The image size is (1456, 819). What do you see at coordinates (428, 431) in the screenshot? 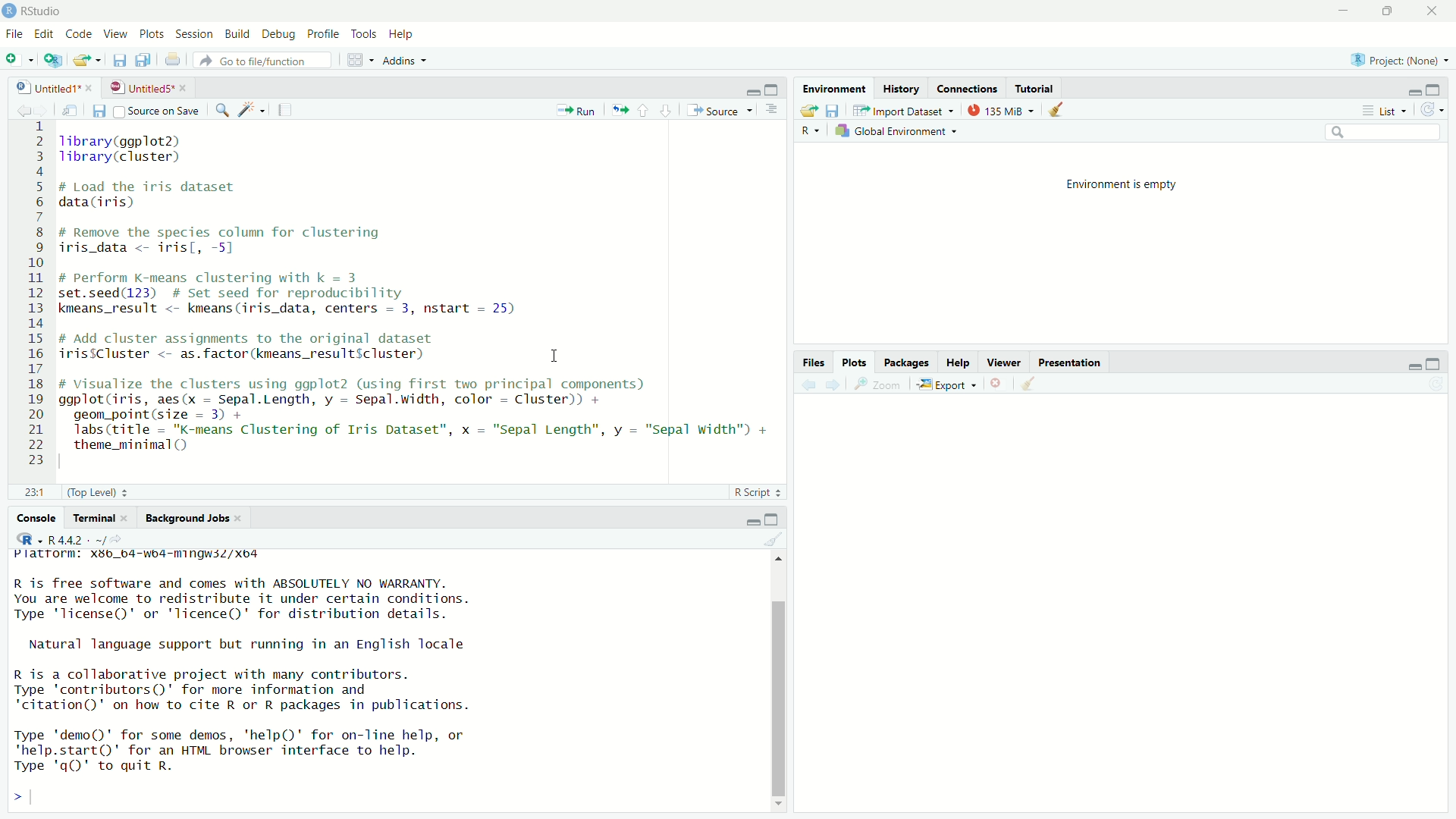
I see `geom_point(size = 3) +
labs (title = "K-means Clustering of Iris Dataset”, x — "Sepal Length”, y — "Sepal Width") +
theme_minimal O)` at bounding box center [428, 431].